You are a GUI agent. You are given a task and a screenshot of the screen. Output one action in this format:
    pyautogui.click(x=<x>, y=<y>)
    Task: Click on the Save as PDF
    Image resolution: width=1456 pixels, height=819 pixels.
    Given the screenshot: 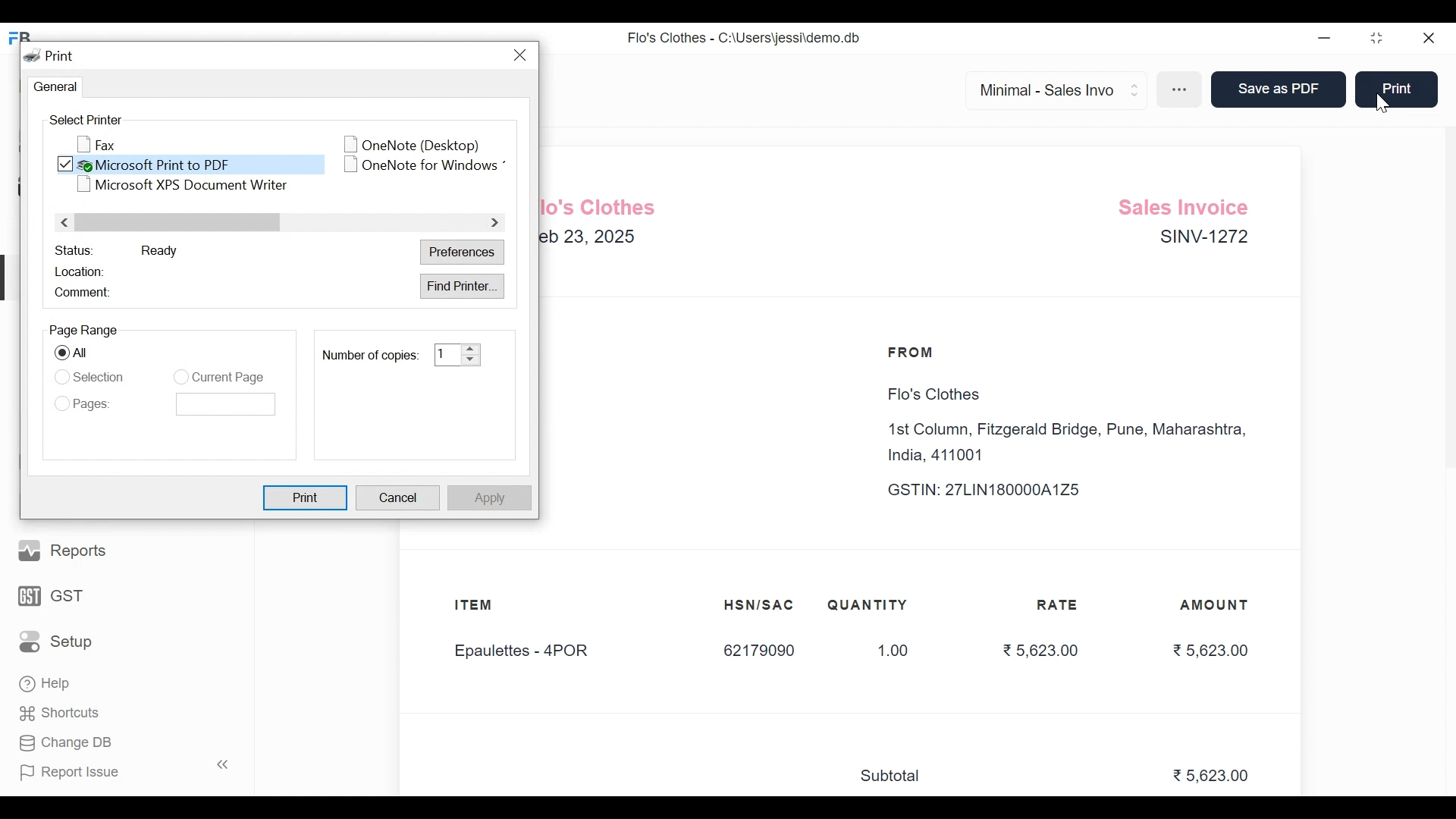 What is the action you would take?
    pyautogui.click(x=1276, y=90)
    